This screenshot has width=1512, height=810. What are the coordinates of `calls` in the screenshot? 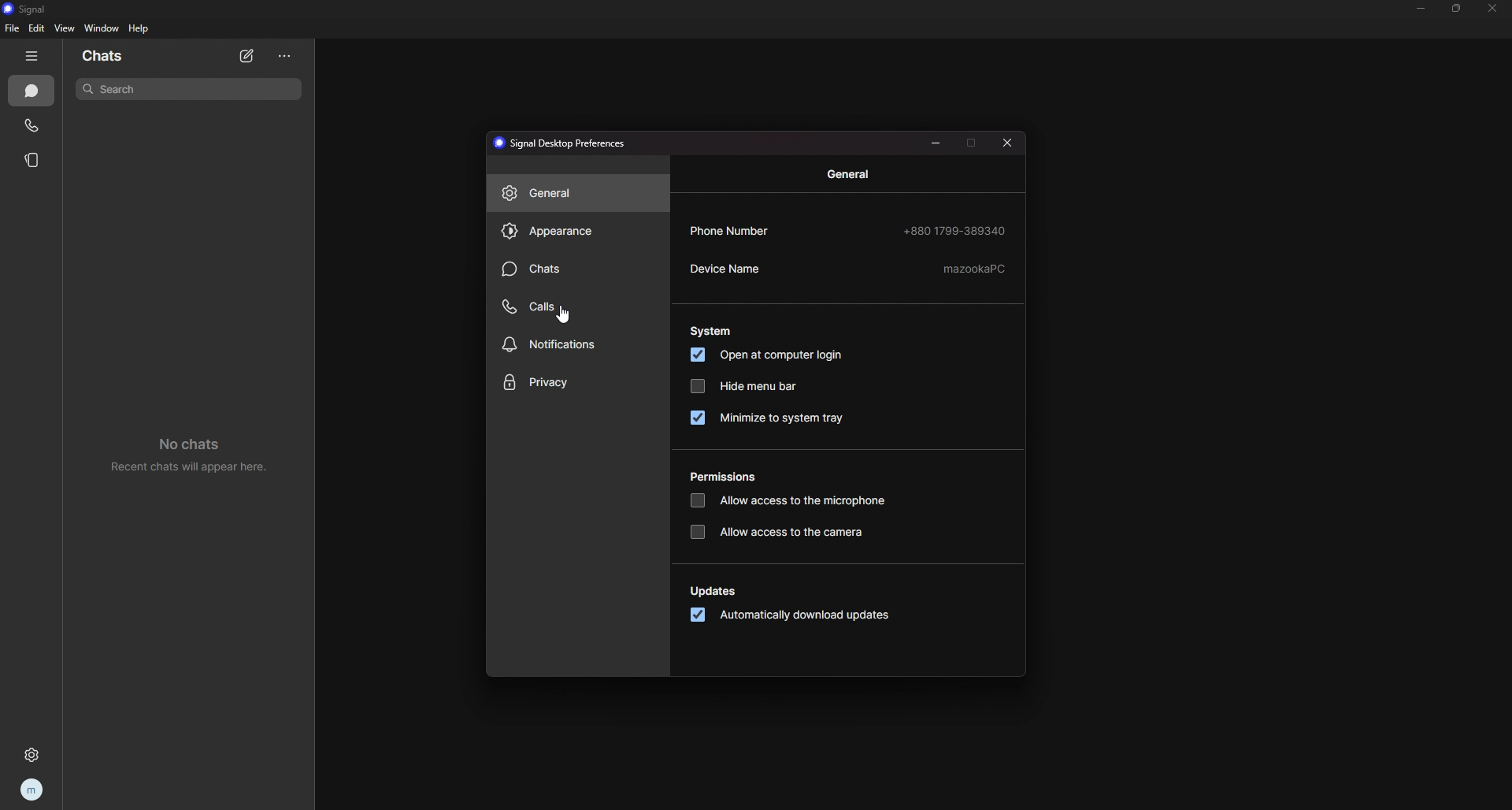 It's located at (32, 125).